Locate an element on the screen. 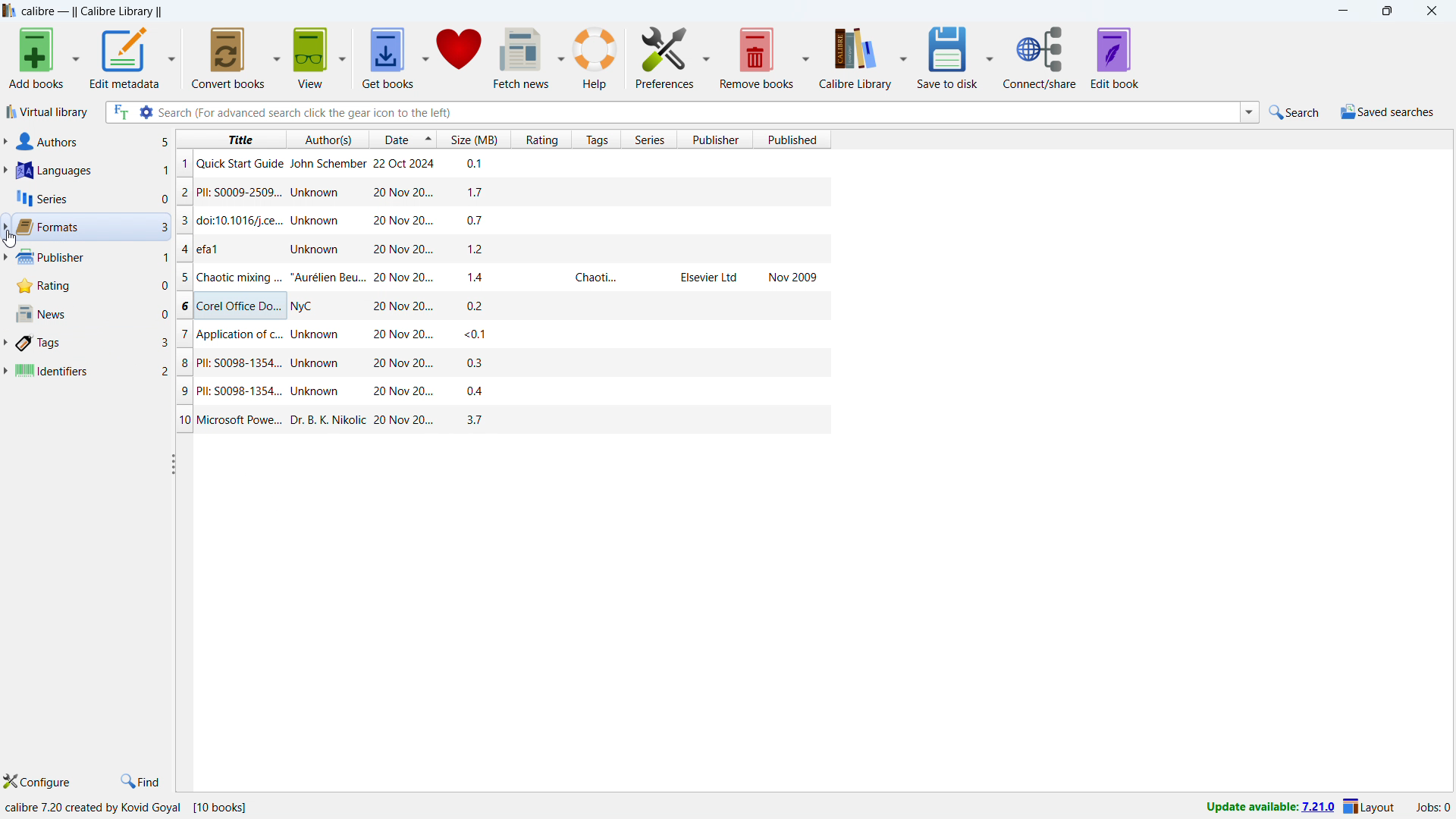 This screenshot has height=819, width=1456. calibre library options is located at coordinates (902, 57).